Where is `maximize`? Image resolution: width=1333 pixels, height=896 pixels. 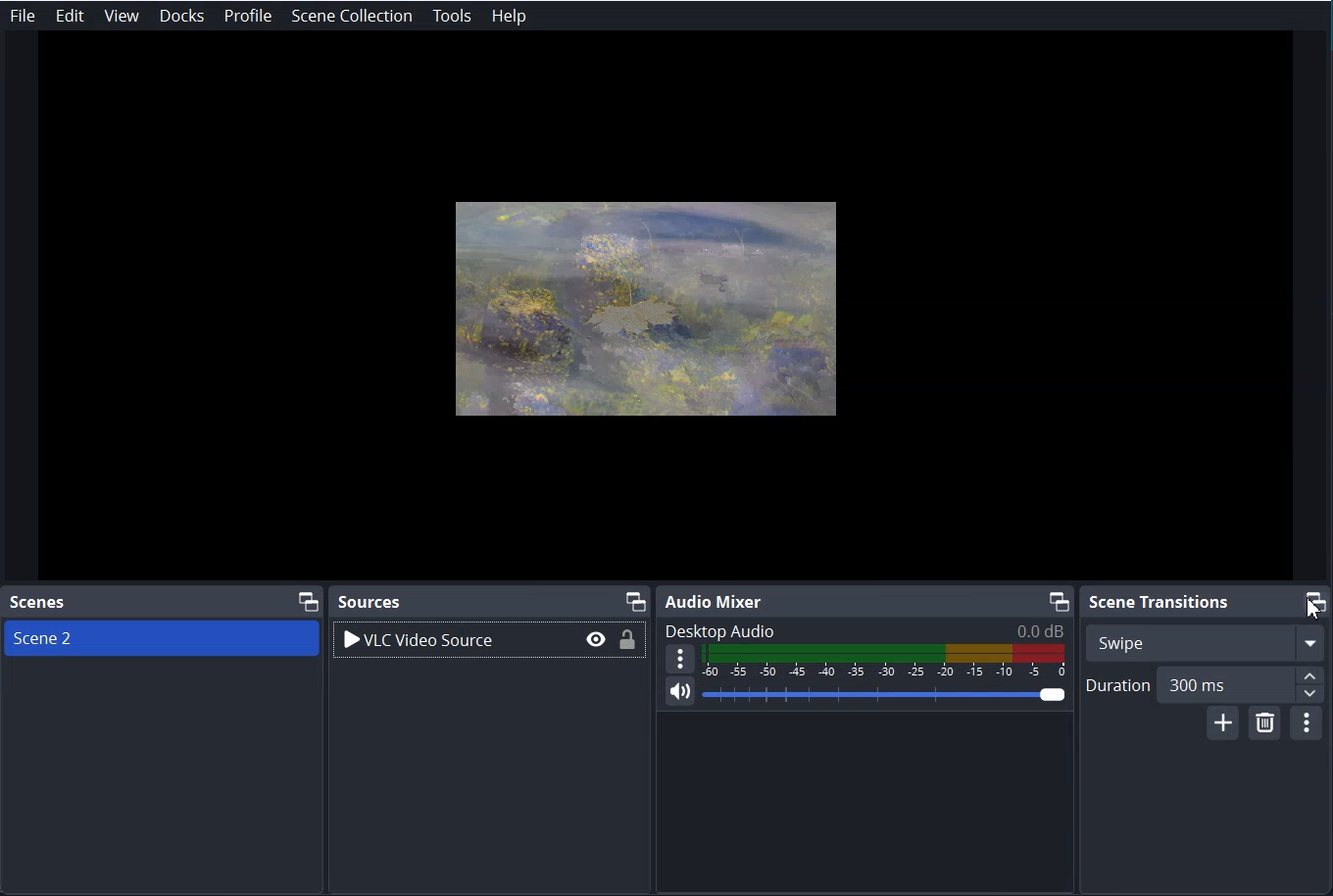
maximize is located at coordinates (1308, 601).